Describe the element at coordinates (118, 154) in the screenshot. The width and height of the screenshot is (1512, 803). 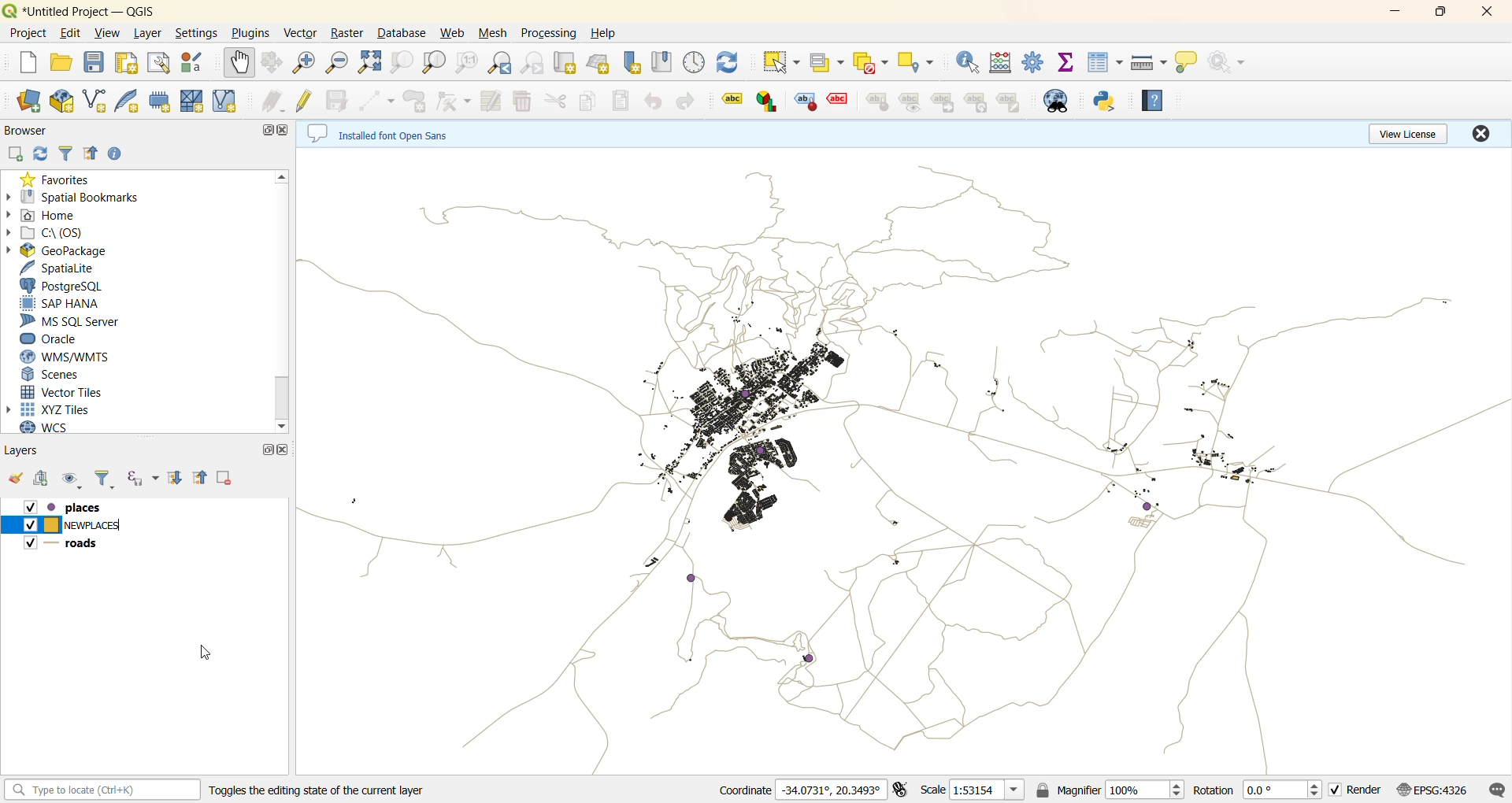
I see `enable/disable properties` at that location.